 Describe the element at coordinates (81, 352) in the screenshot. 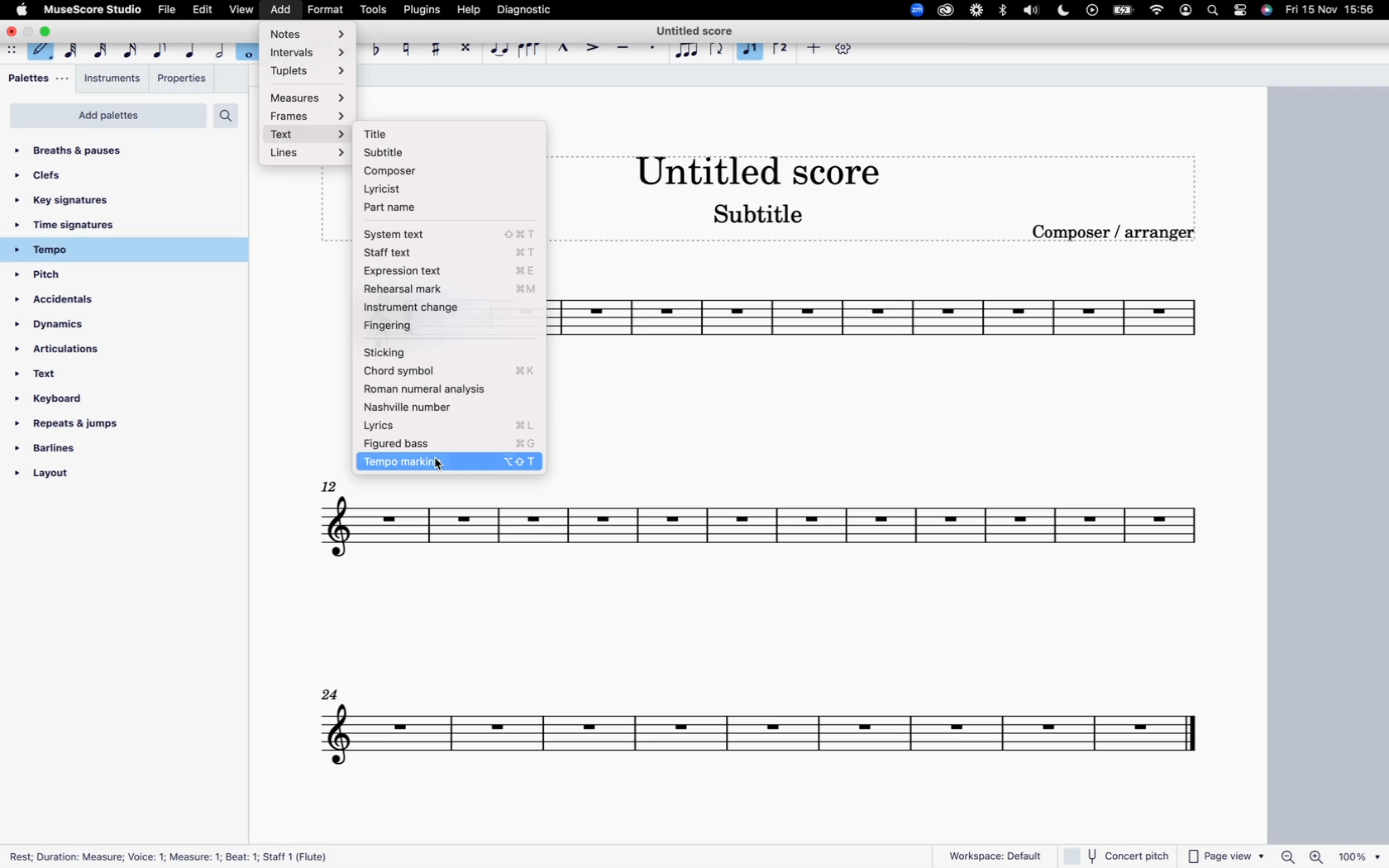

I see `articulations` at that location.